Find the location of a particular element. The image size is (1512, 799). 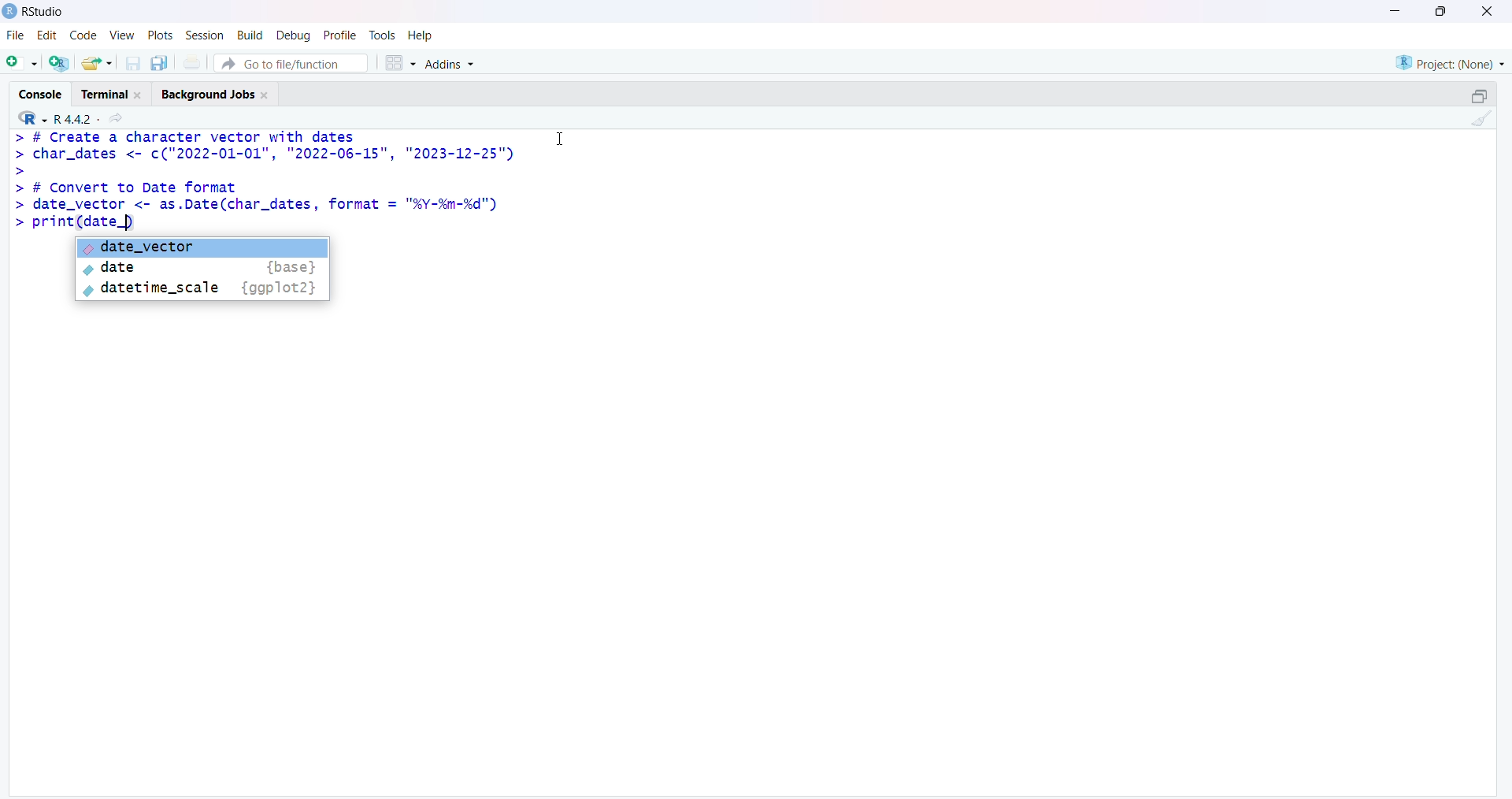

Cursor is located at coordinates (560, 138).